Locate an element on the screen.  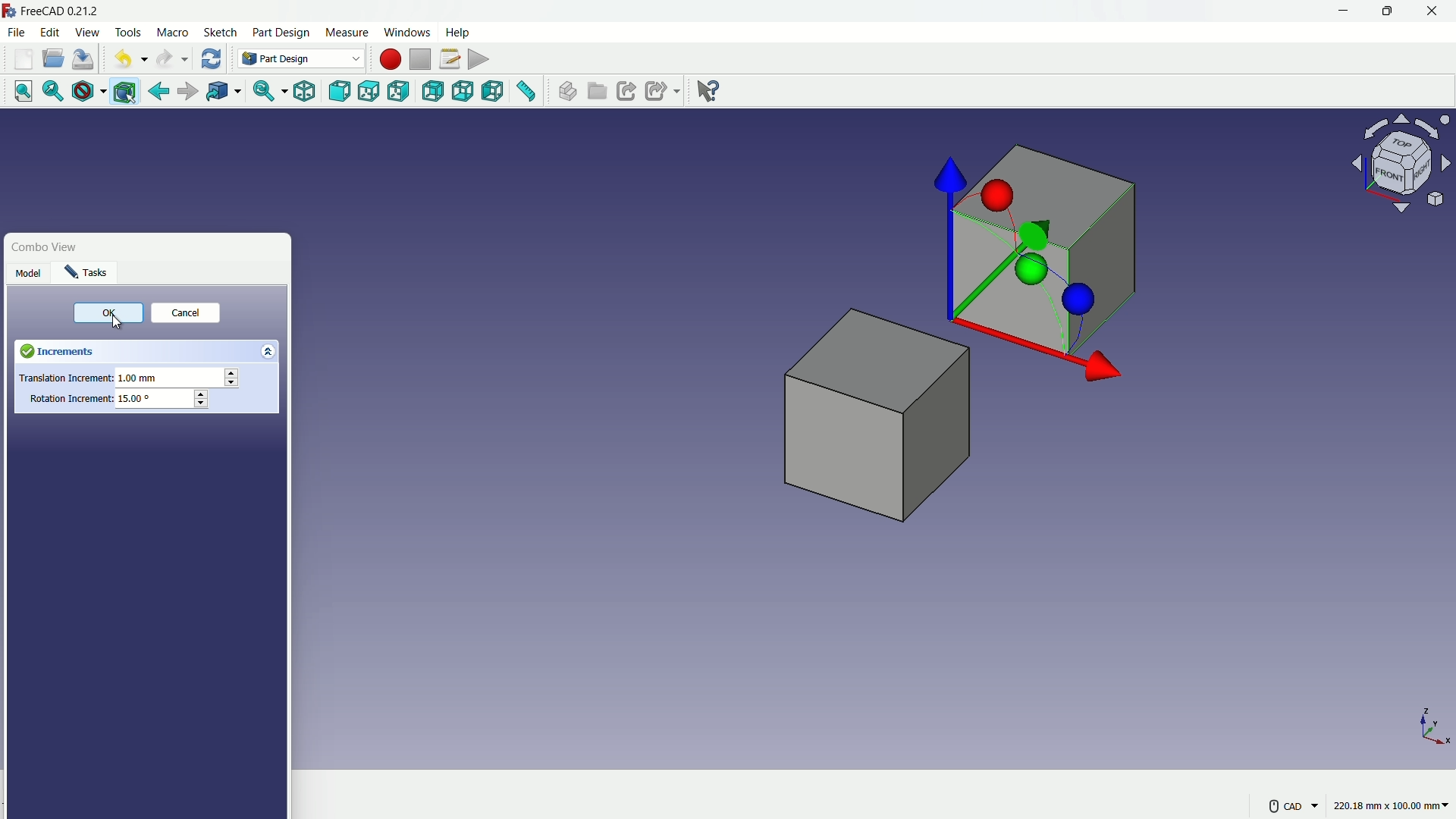
make sublink is located at coordinates (663, 91).